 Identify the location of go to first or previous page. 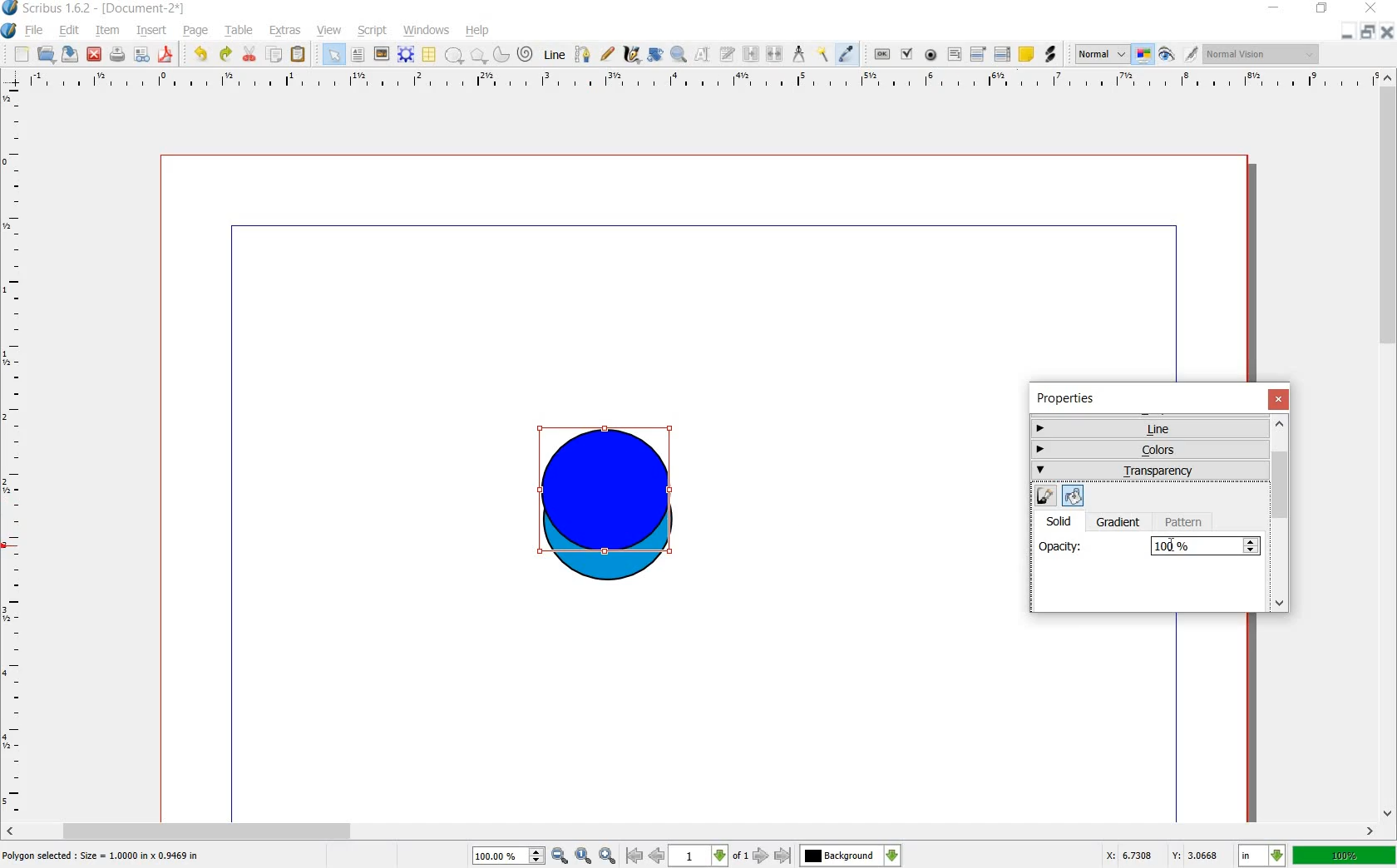
(645, 856).